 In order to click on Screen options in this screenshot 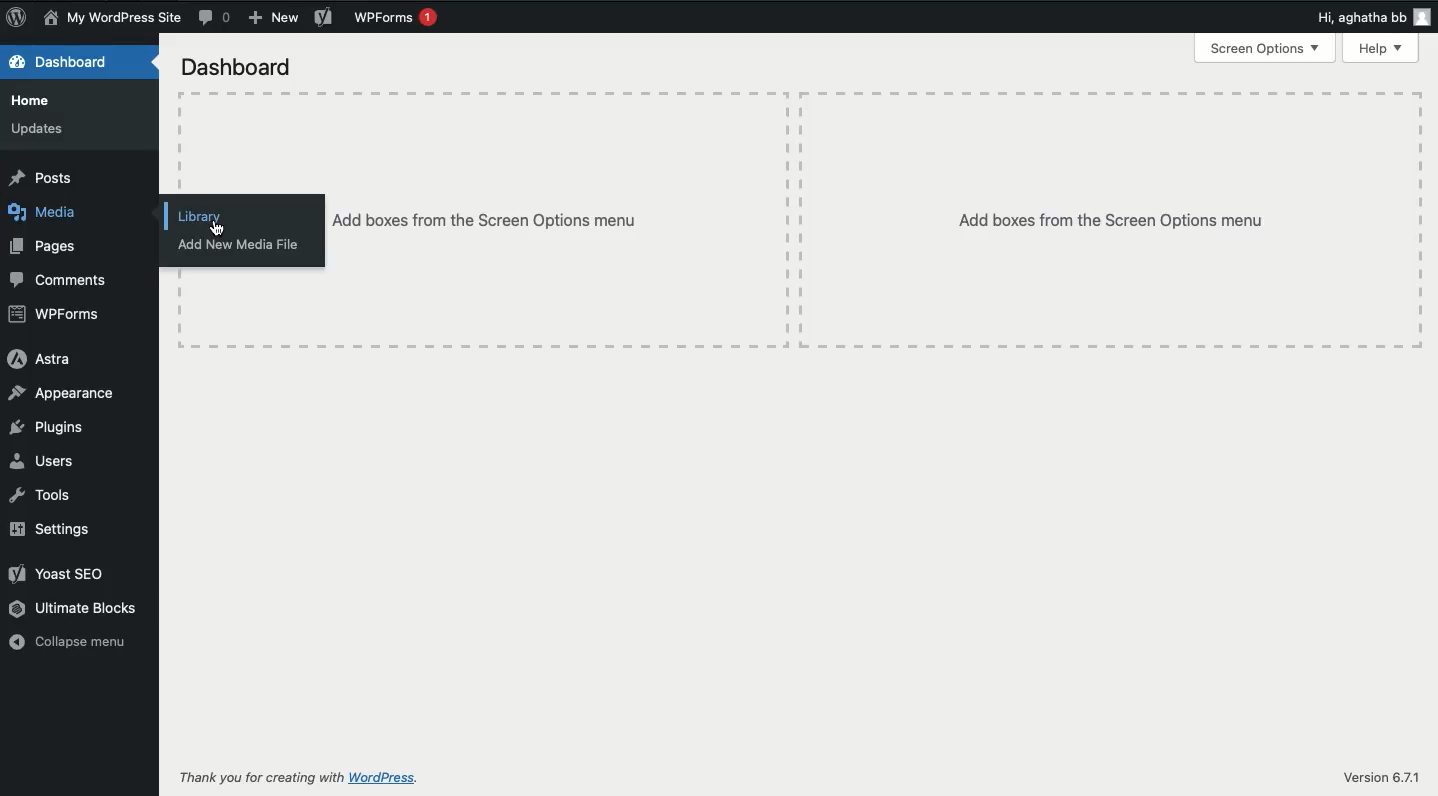, I will do `click(1265, 49)`.